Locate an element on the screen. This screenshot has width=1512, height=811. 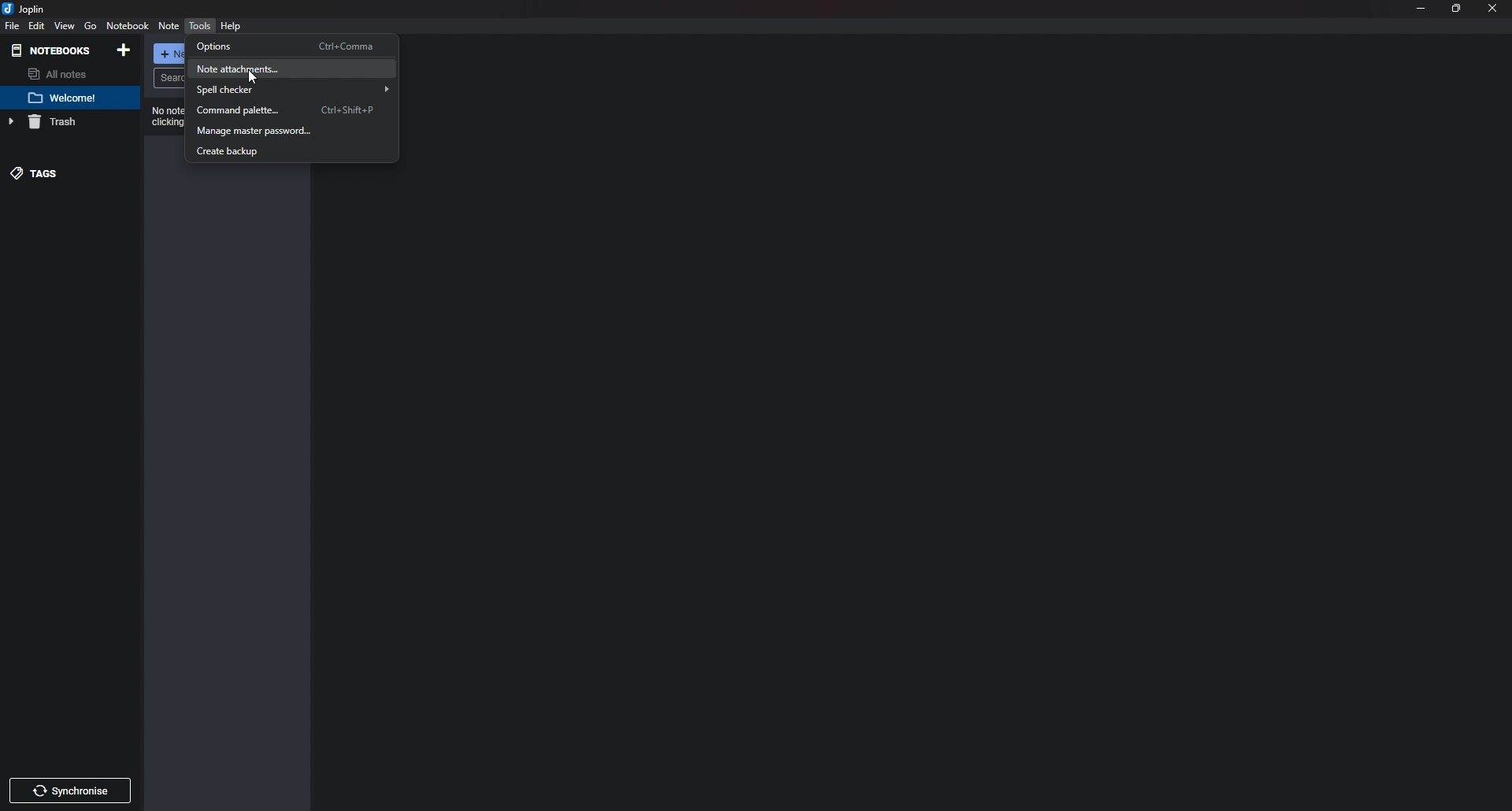
joplin is located at coordinates (27, 8).